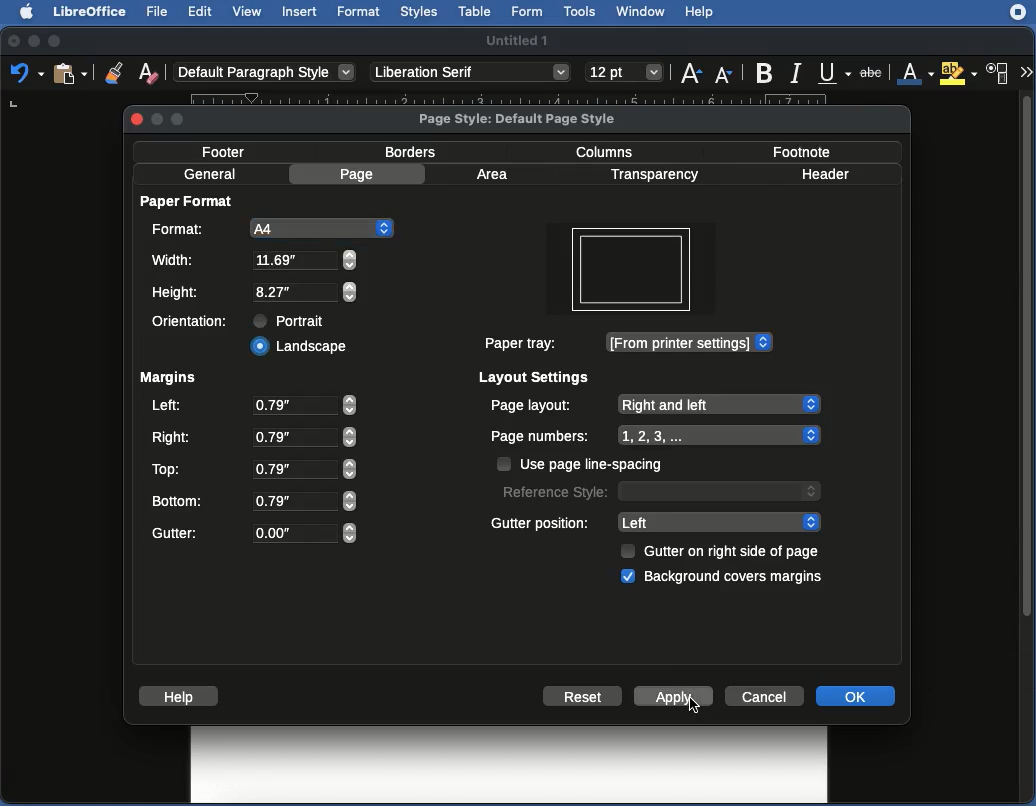  I want to click on 0.79", so click(304, 436).